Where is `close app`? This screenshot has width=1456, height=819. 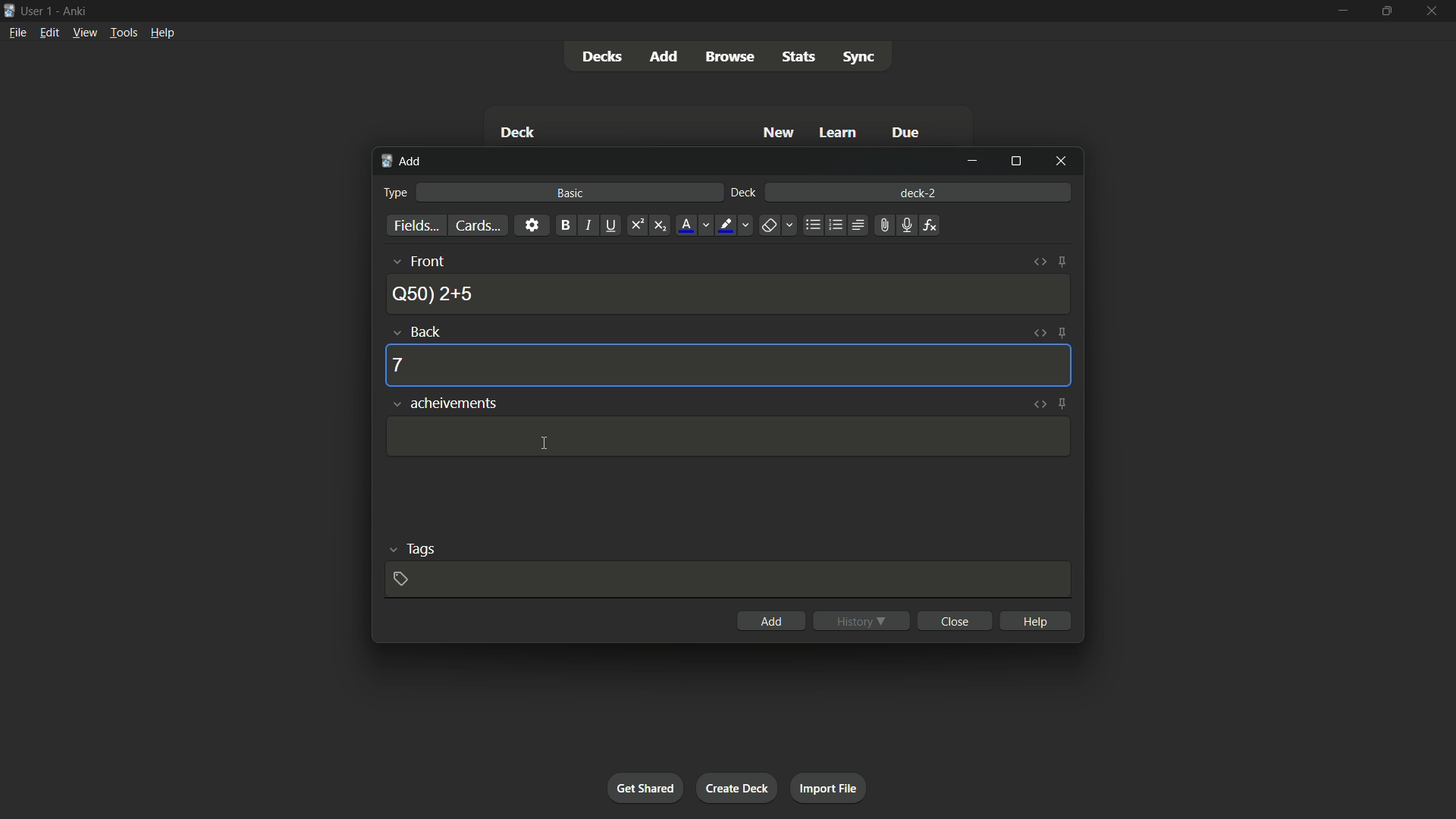 close app is located at coordinates (1434, 11).